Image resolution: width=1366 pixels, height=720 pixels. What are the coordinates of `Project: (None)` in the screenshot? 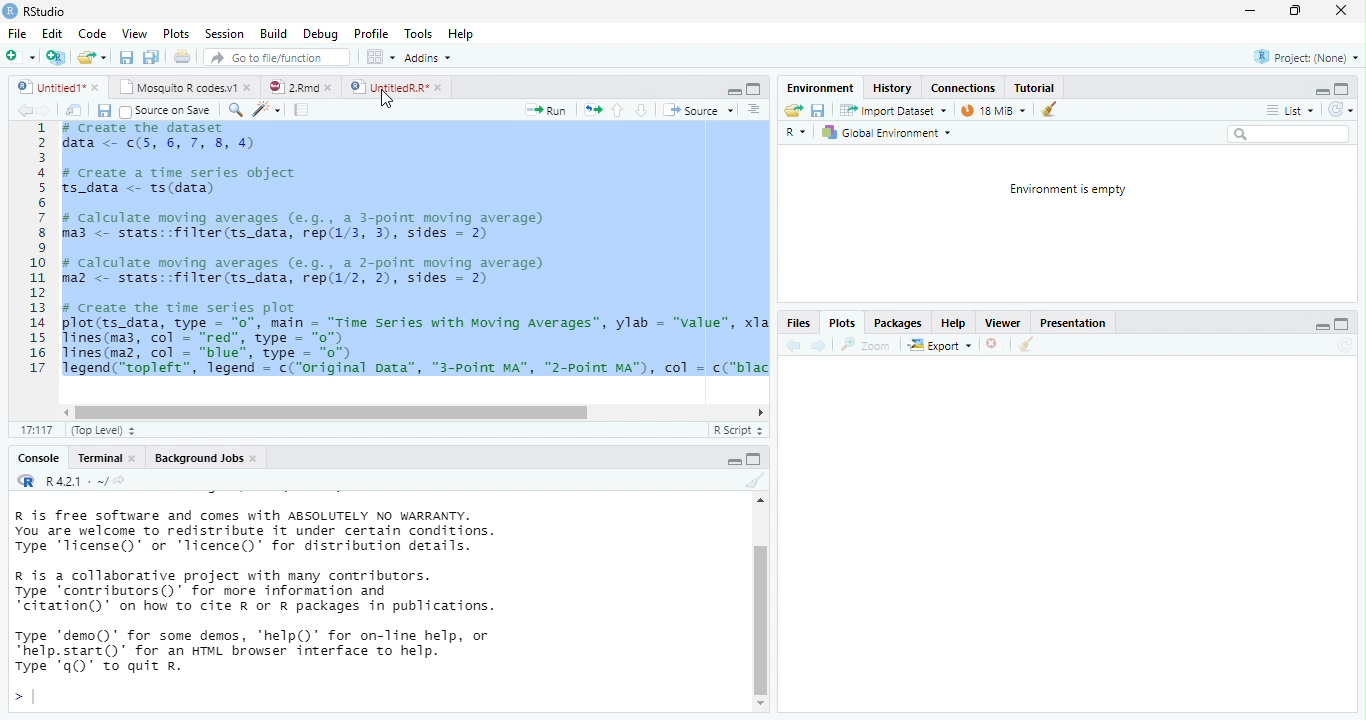 It's located at (1307, 58).